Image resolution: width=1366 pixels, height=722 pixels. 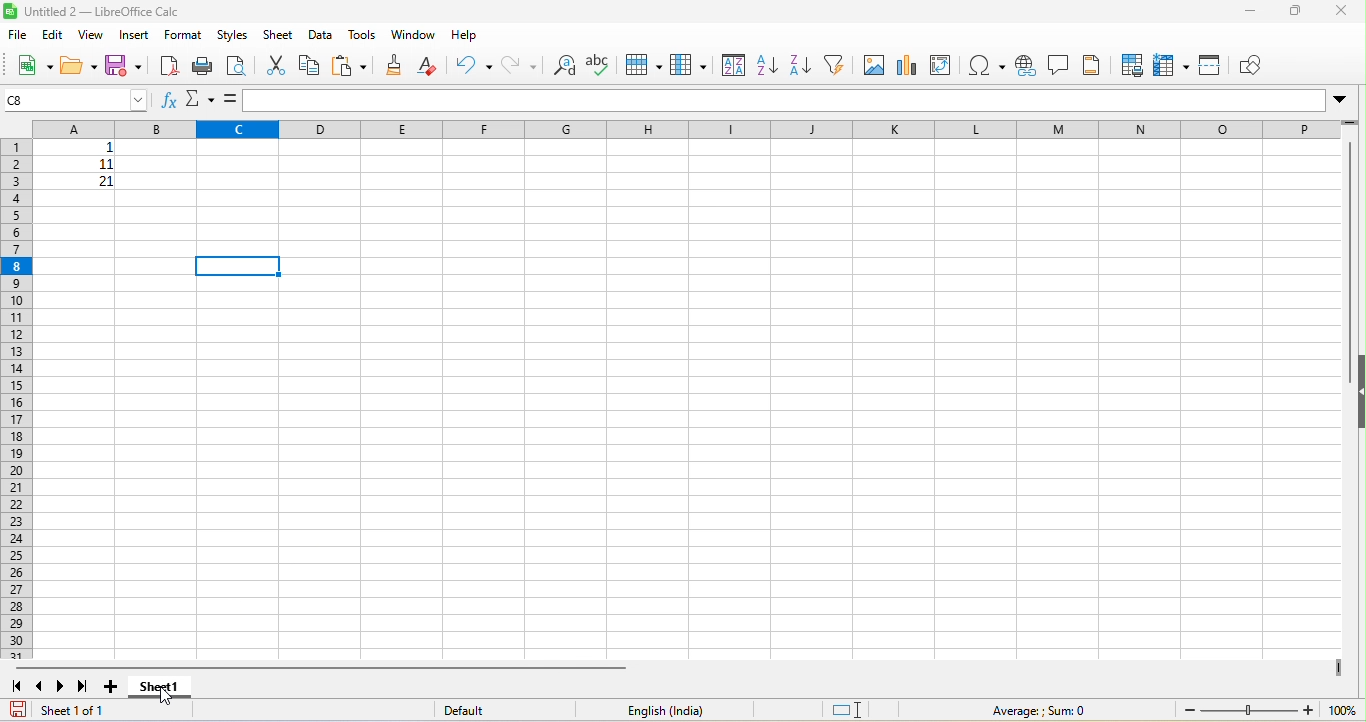 What do you see at coordinates (230, 99) in the screenshot?
I see `=` at bounding box center [230, 99].